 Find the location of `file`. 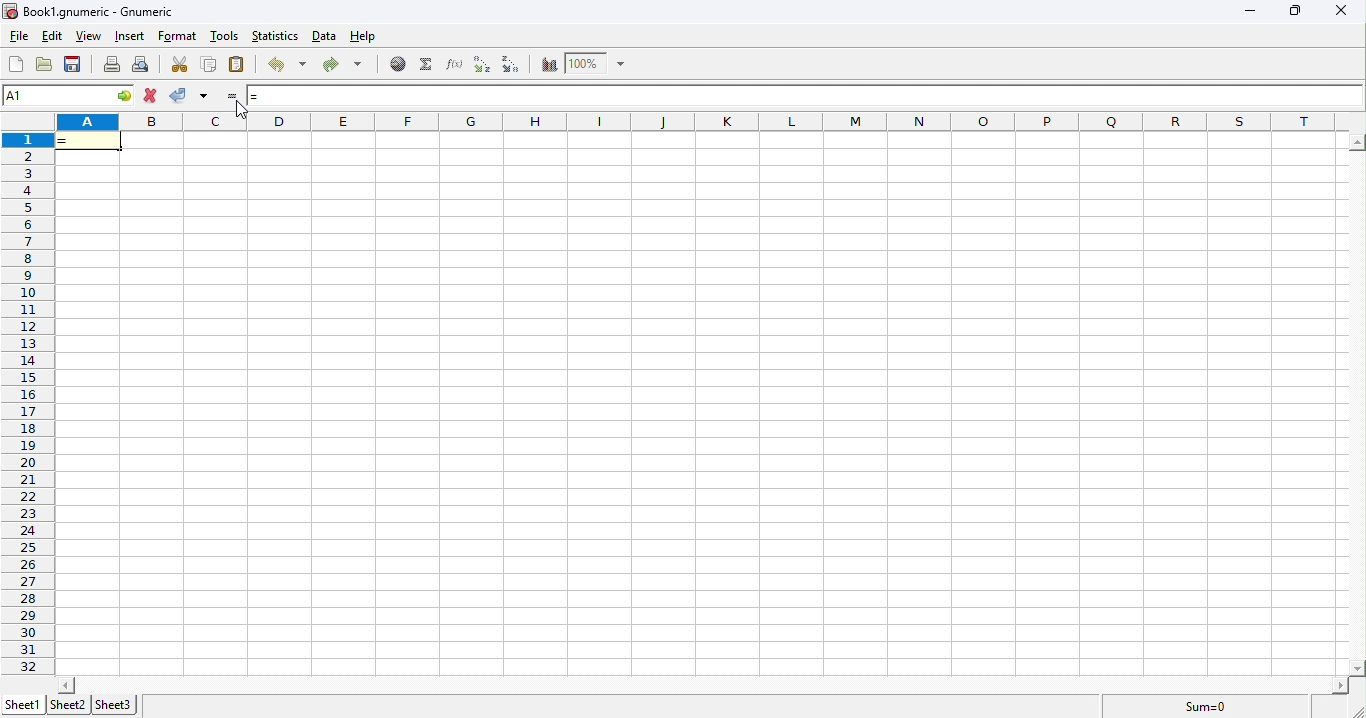

file is located at coordinates (21, 35).